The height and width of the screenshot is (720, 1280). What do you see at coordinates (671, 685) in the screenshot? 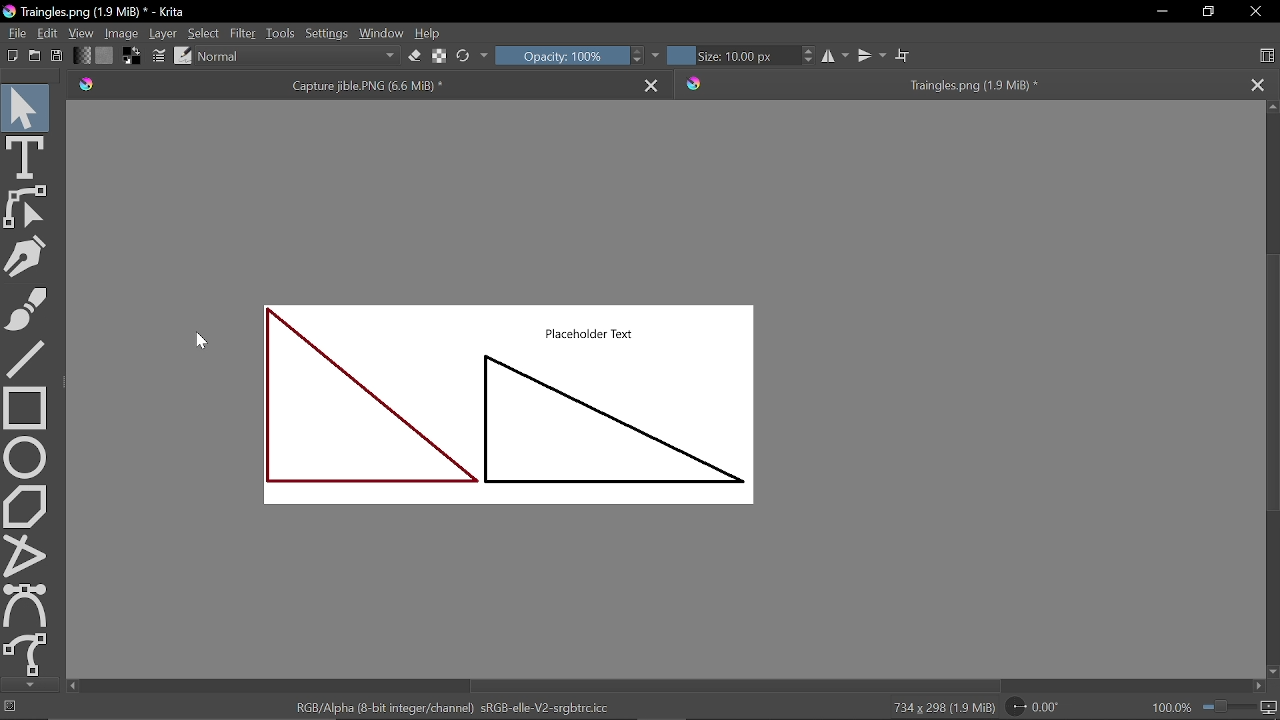
I see `Horizontal scrollbar` at bounding box center [671, 685].